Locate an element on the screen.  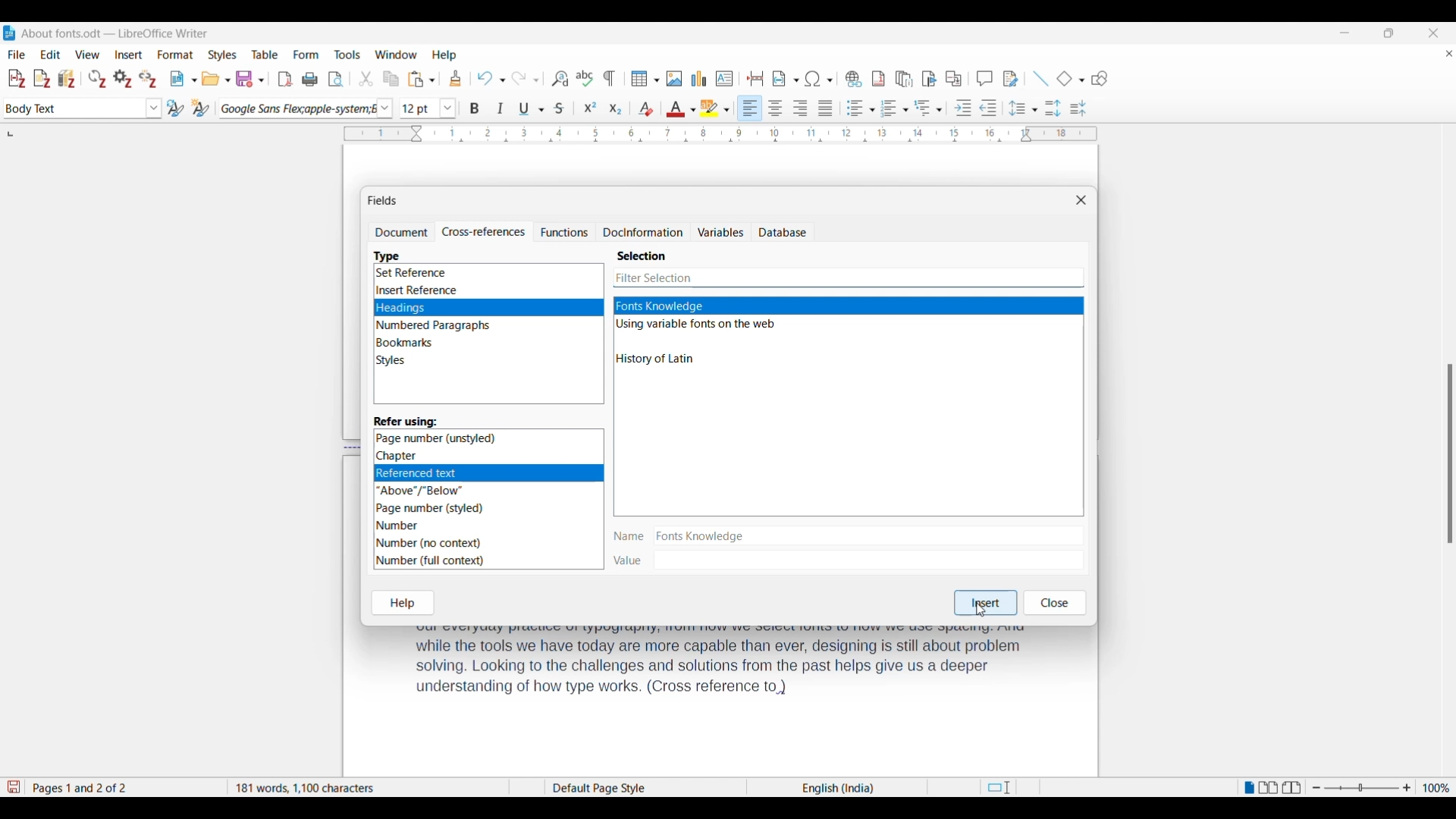
Show interface in a smaller tab is located at coordinates (1389, 33).